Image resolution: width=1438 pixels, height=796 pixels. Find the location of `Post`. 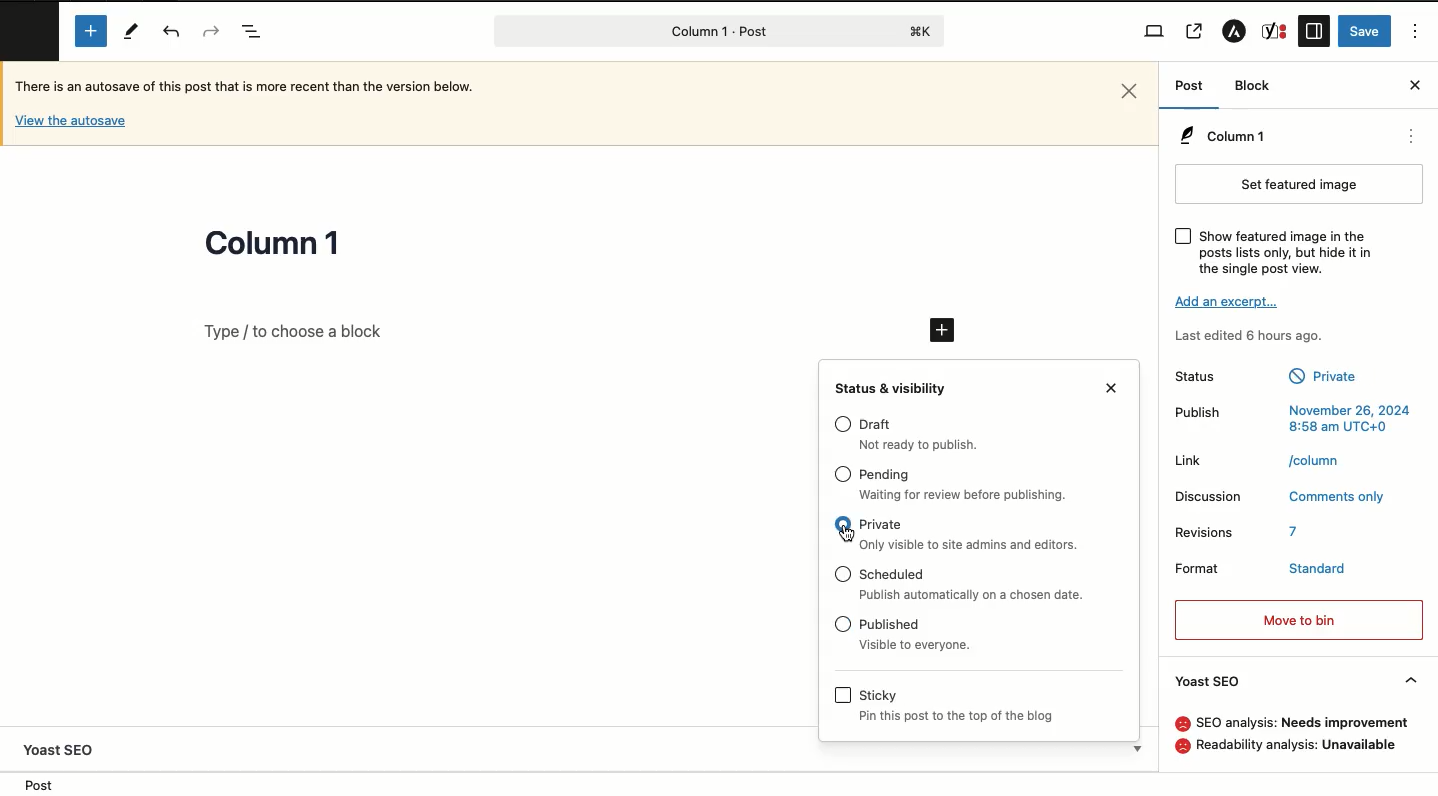

Post is located at coordinates (34, 784).